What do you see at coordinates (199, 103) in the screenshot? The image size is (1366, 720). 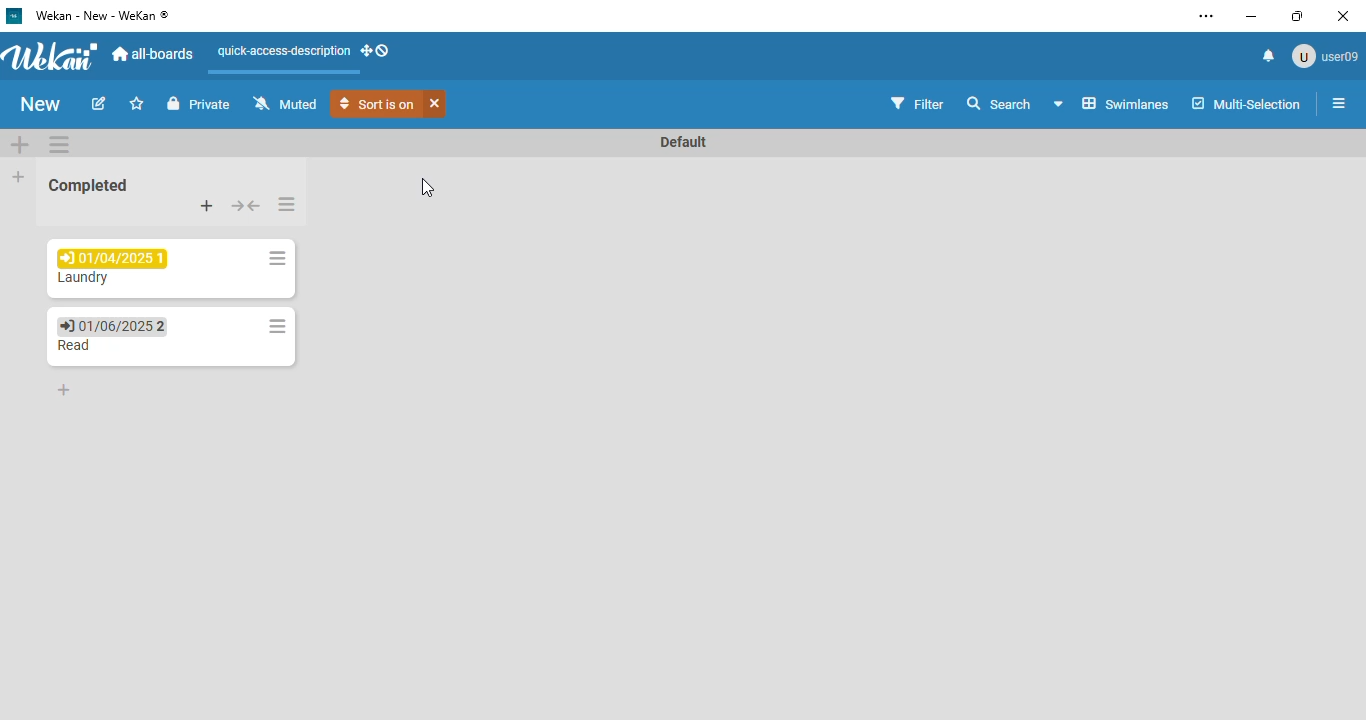 I see `private` at bounding box center [199, 103].